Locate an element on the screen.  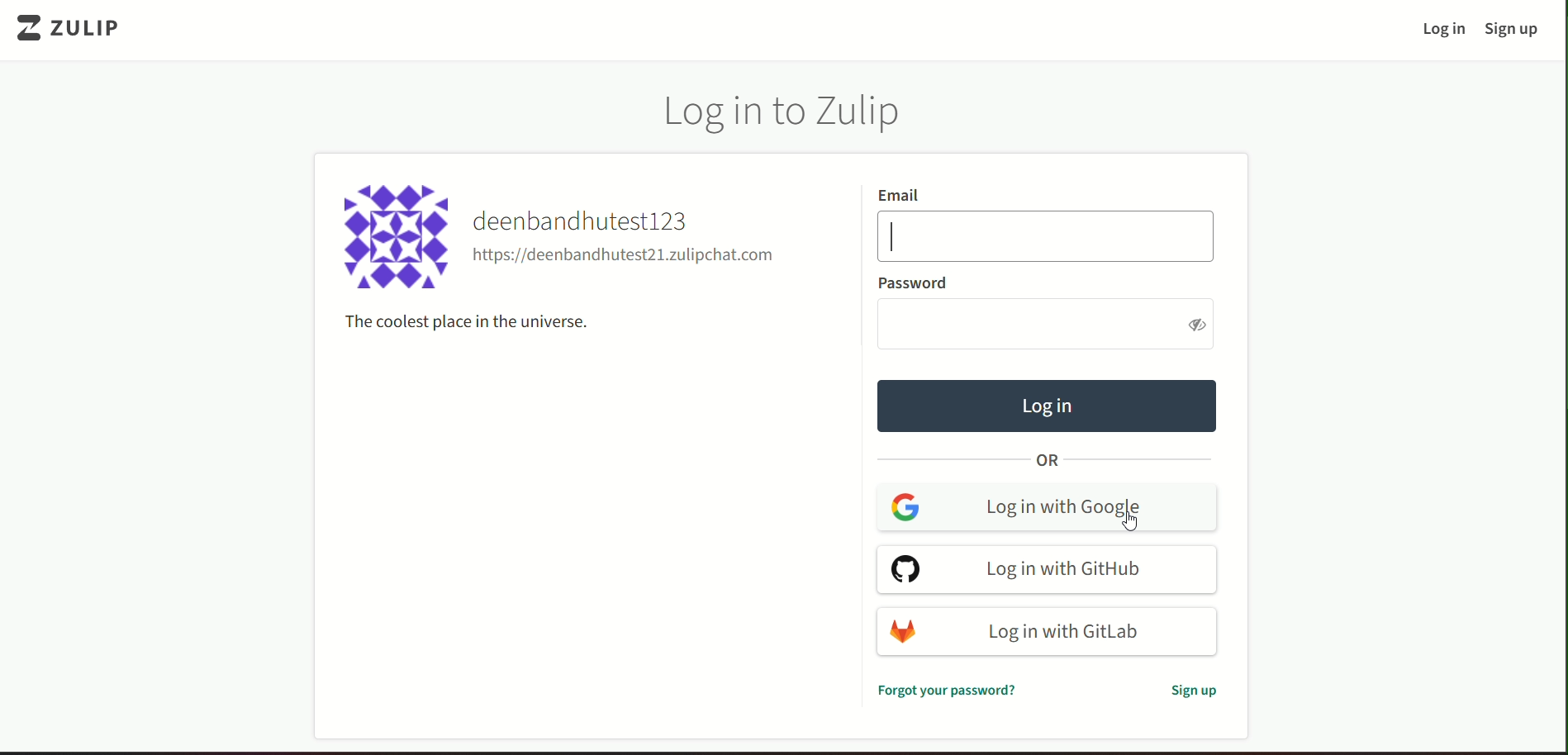
textbox is located at coordinates (1046, 235).